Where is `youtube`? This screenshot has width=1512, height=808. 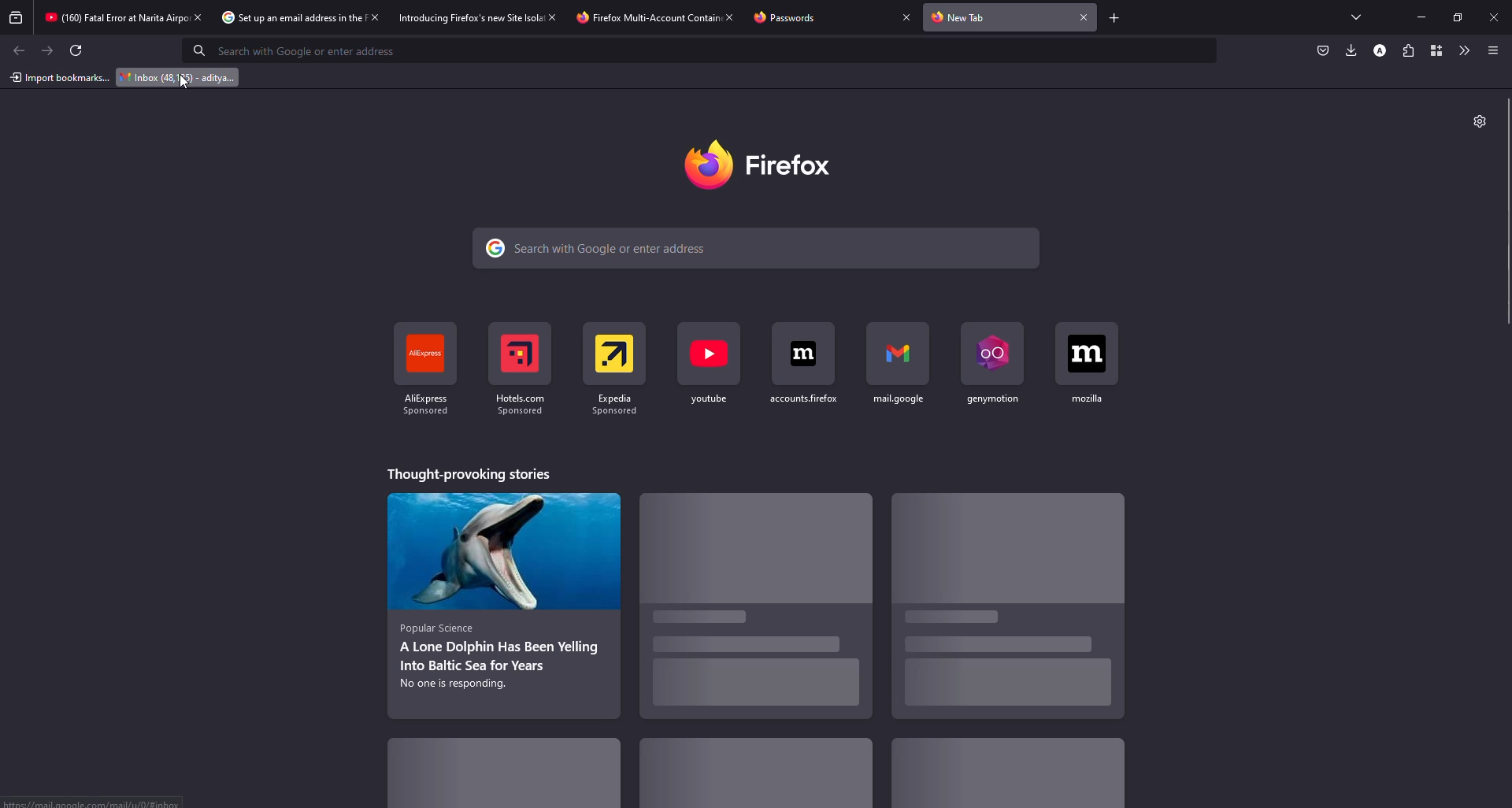
youtube is located at coordinates (709, 401).